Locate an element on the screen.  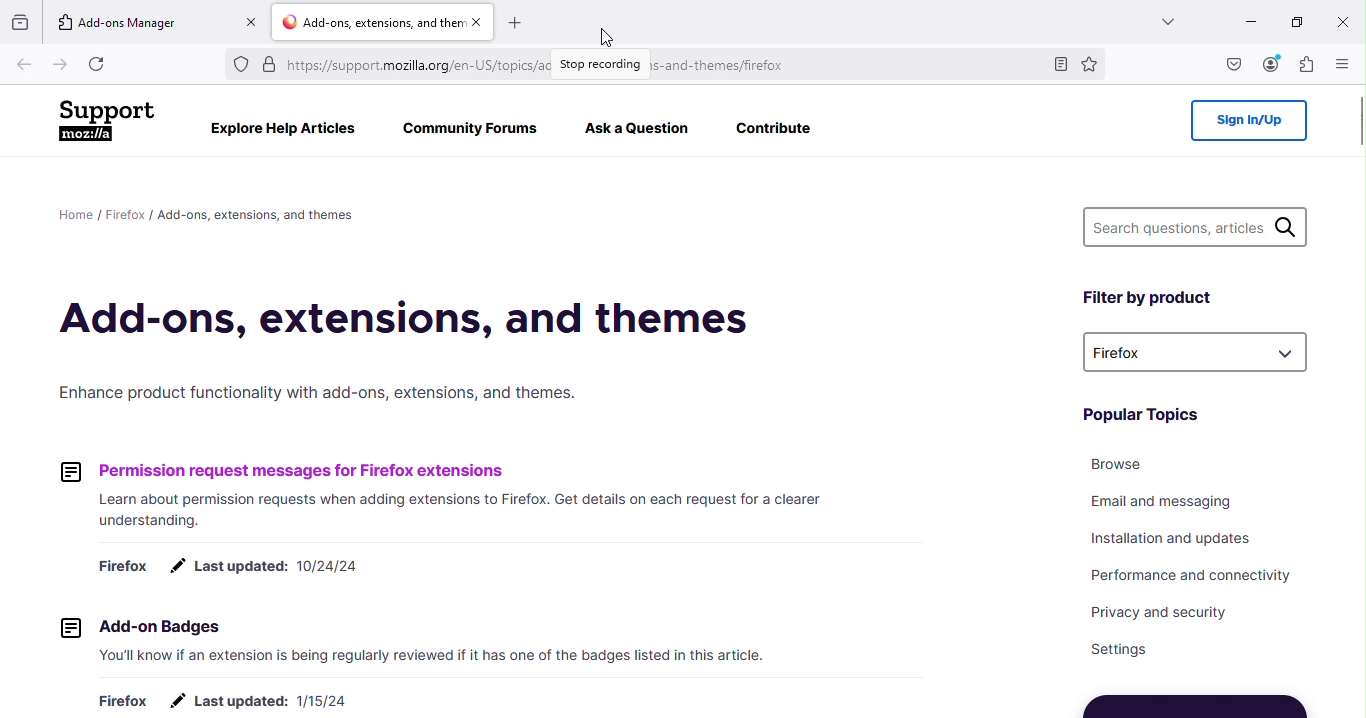
Firefox # Lastupdated: 10/24/24 is located at coordinates (233, 566).